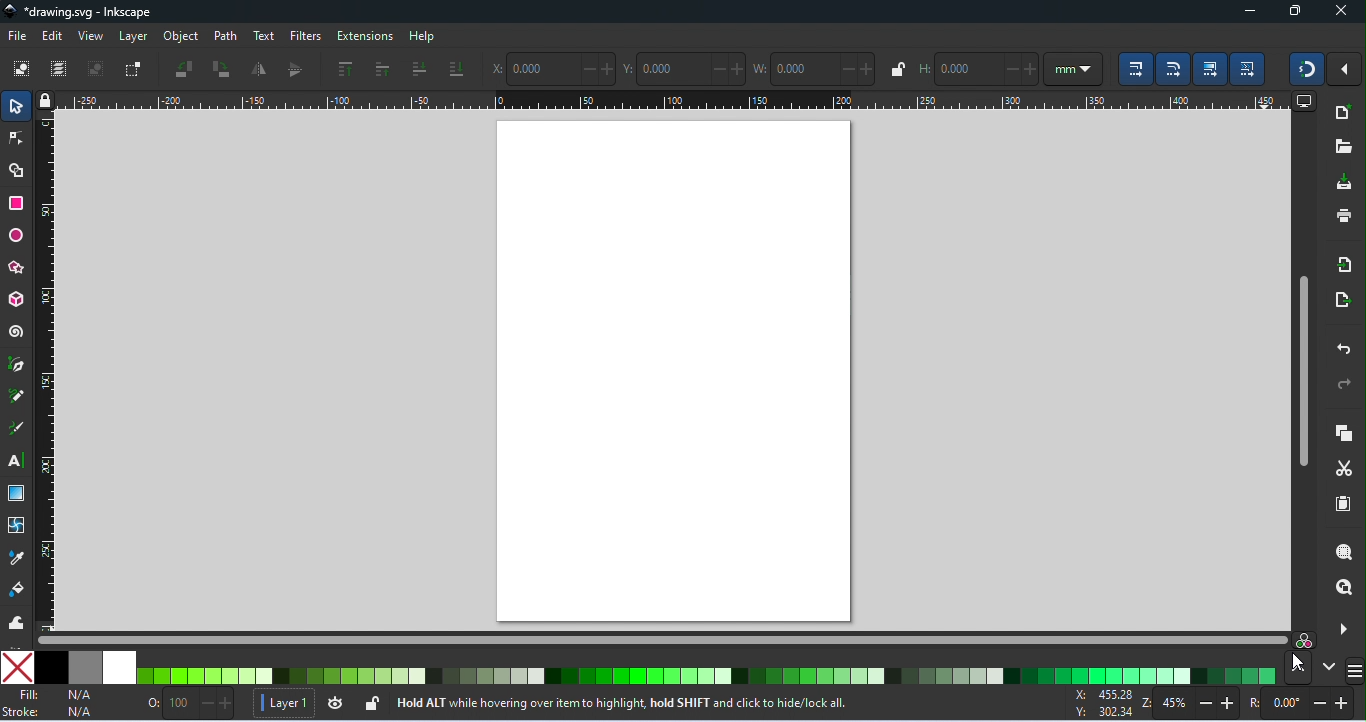 Image resolution: width=1366 pixels, height=722 pixels. Describe the element at coordinates (1340, 347) in the screenshot. I see `undo` at that location.